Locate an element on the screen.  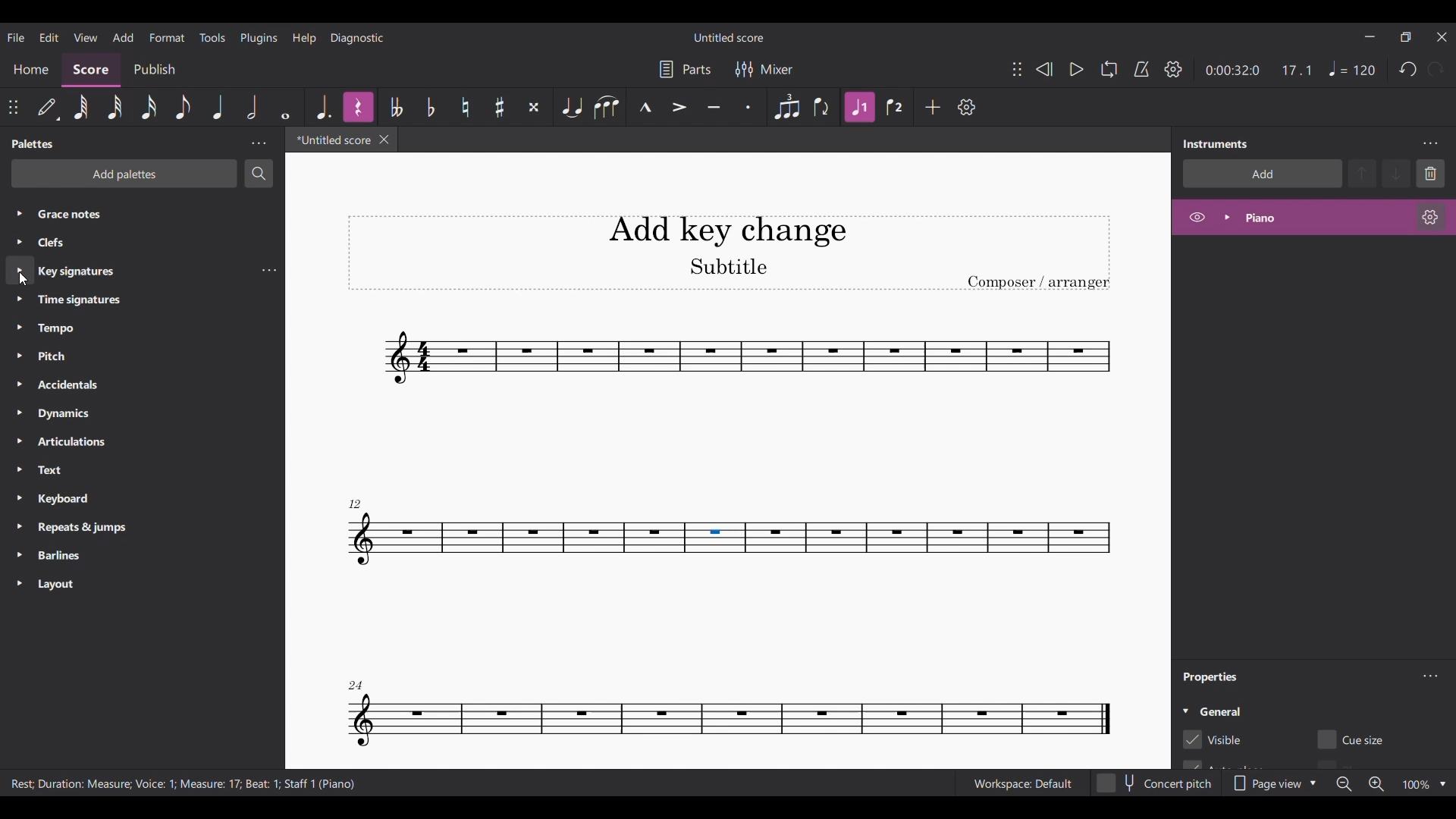
Slur is located at coordinates (606, 106).